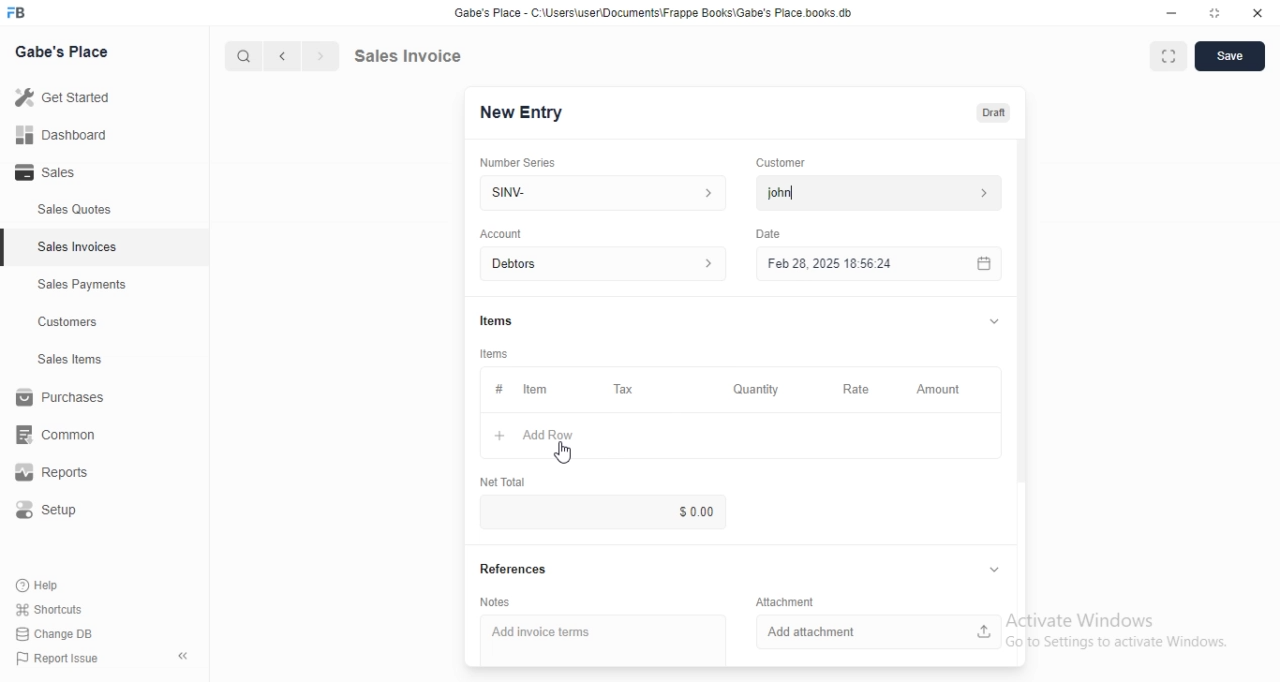 This screenshot has height=682, width=1280. Describe the element at coordinates (940, 390) in the screenshot. I see `‘Amount` at that location.